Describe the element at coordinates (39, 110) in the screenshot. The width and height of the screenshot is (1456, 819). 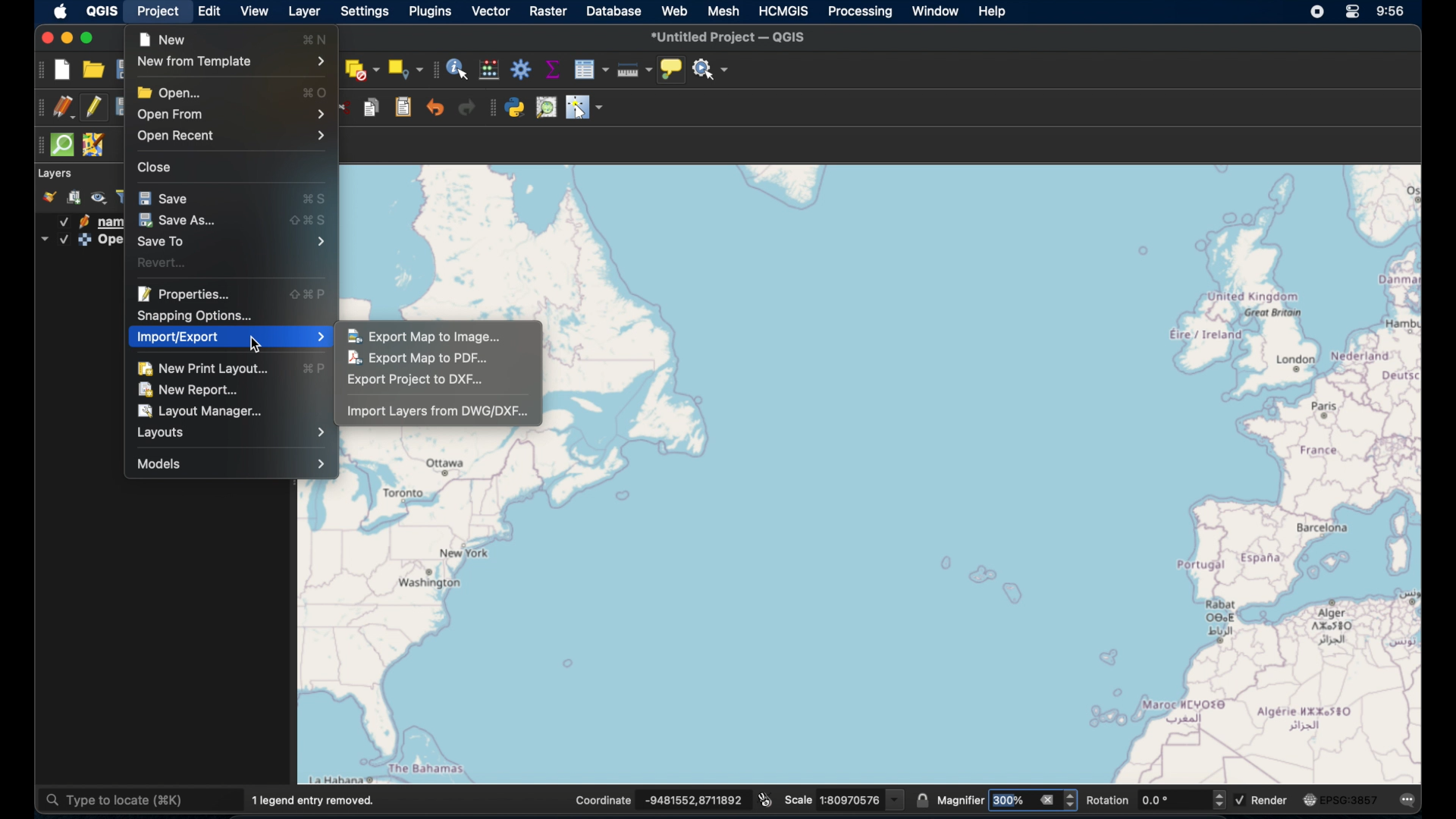
I see `digitizing toolbar` at that location.